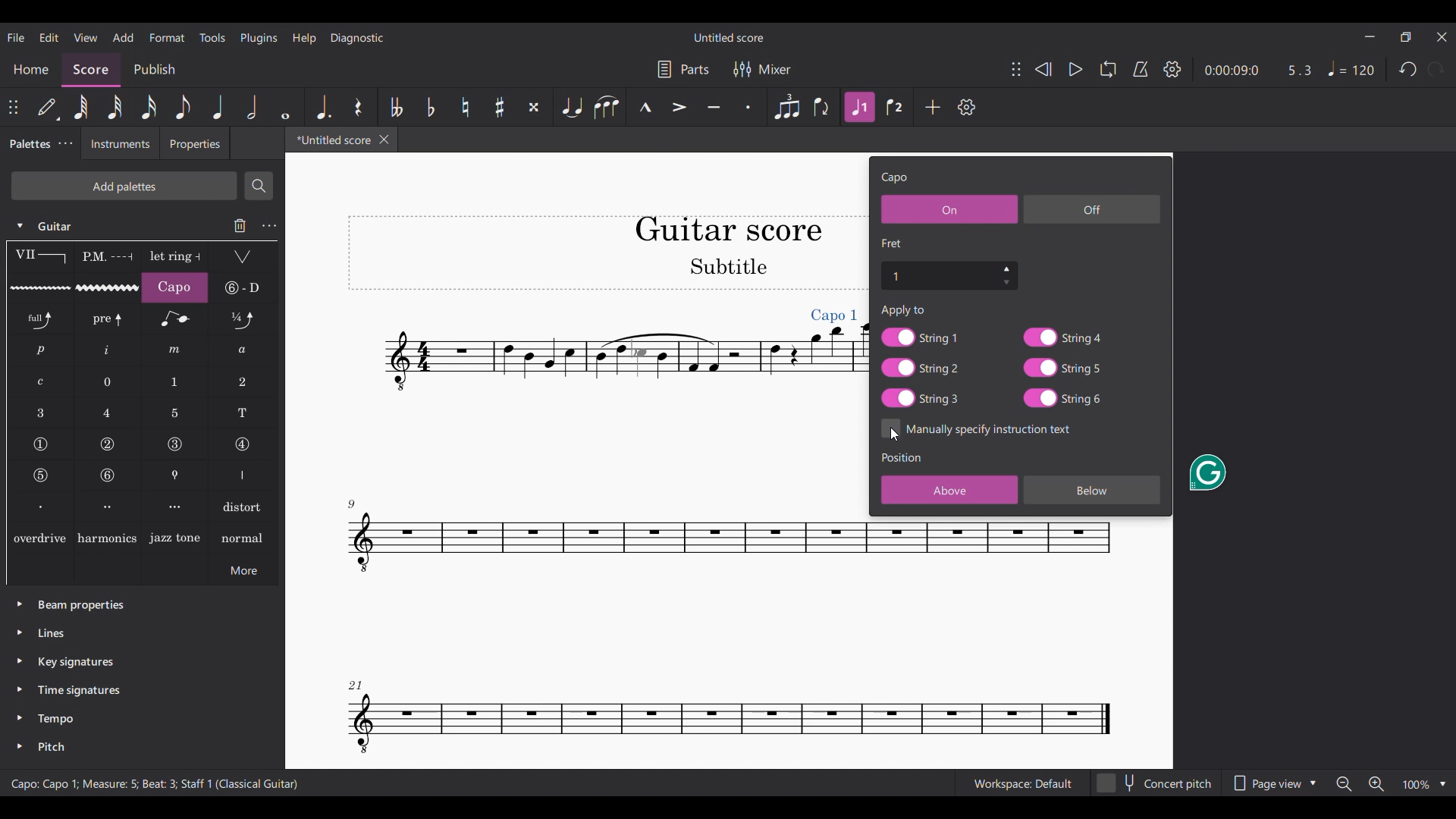  I want to click on String 5 toggle, so click(1062, 368).